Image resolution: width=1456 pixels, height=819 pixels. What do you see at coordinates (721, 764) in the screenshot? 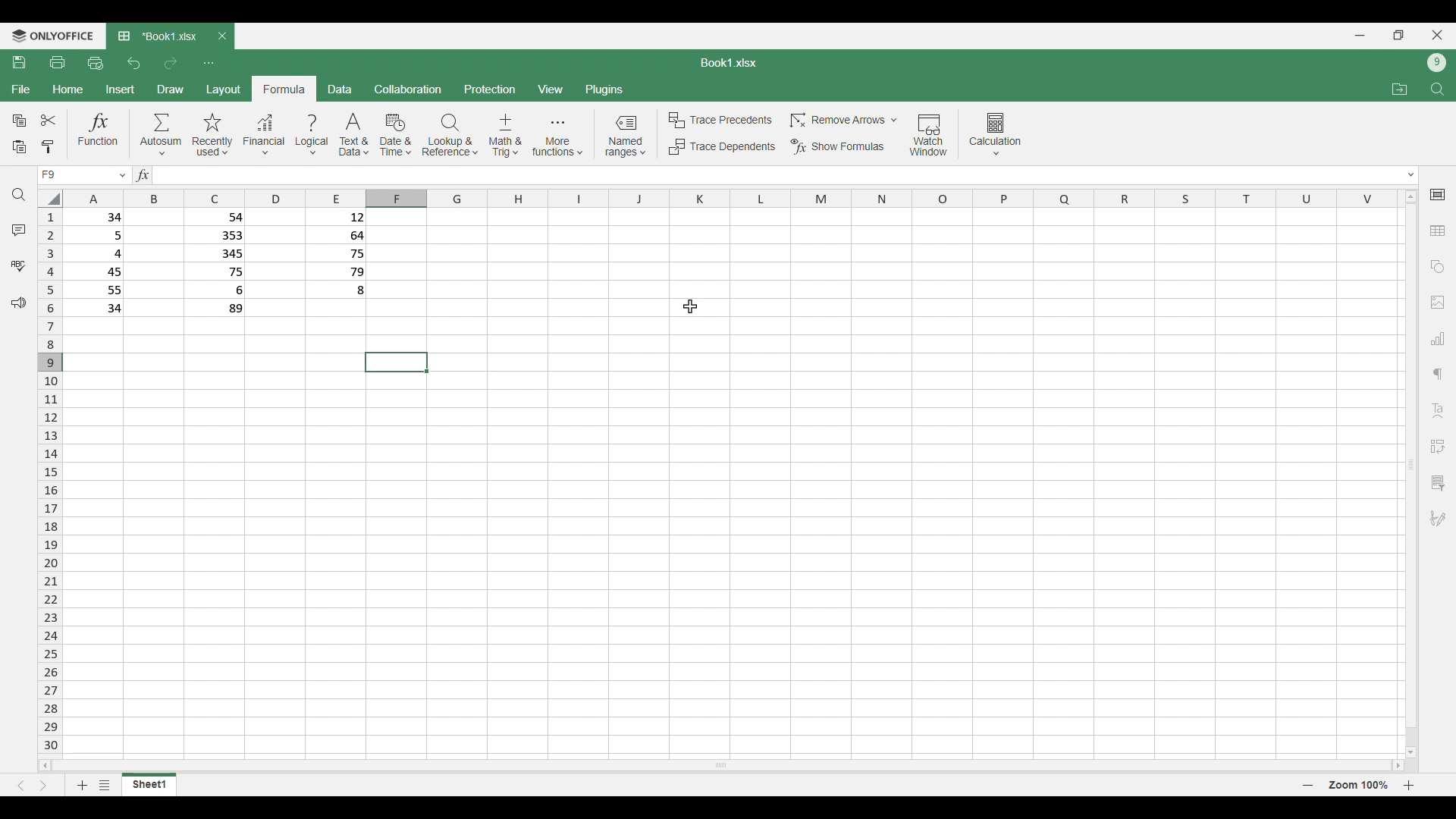
I see `Horizontal slide bar` at bounding box center [721, 764].